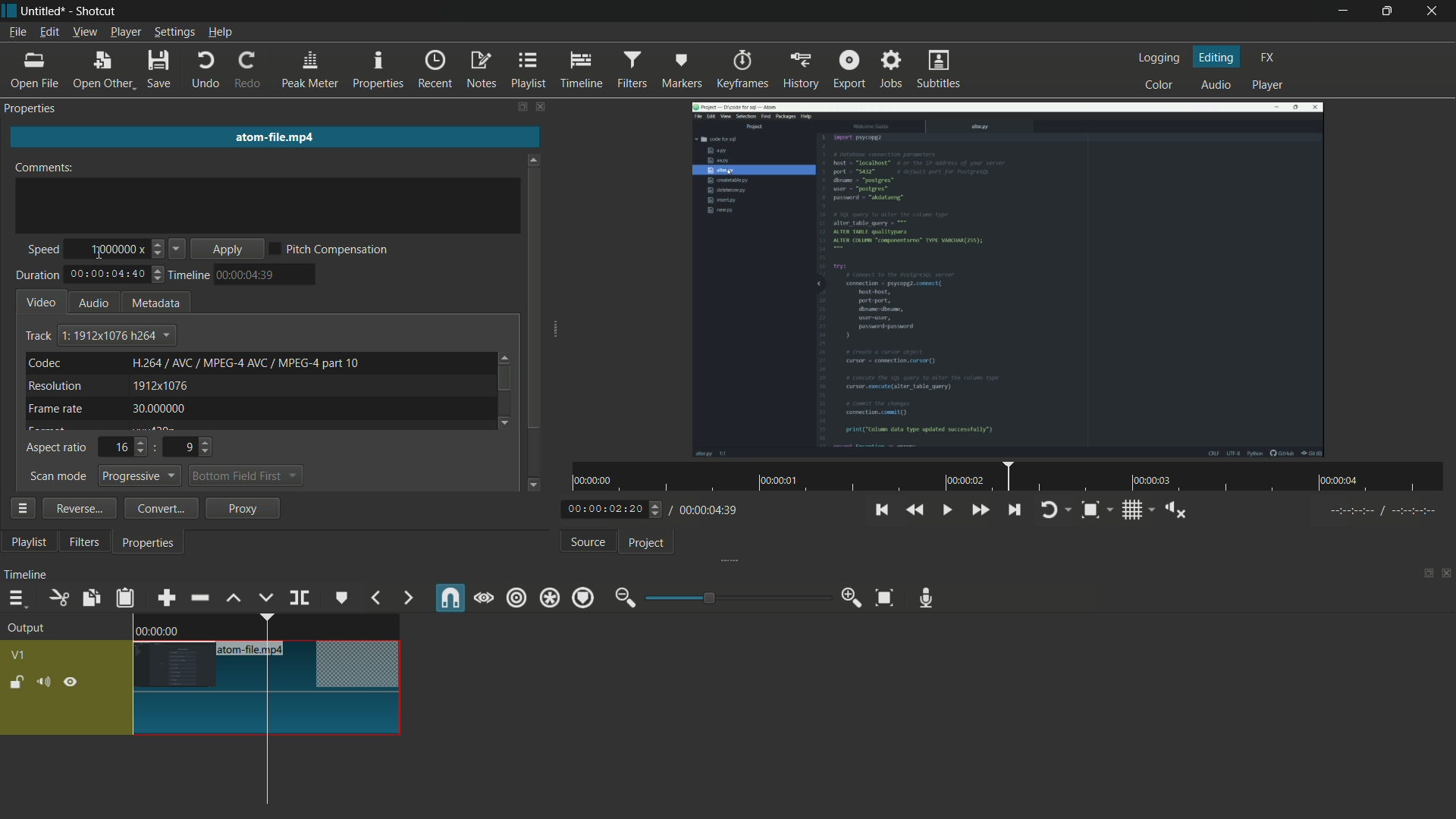 This screenshot has width=1456, height=819. Describe the element at coordinates (93, 303) in the screenshot. I see `audio` at that location.